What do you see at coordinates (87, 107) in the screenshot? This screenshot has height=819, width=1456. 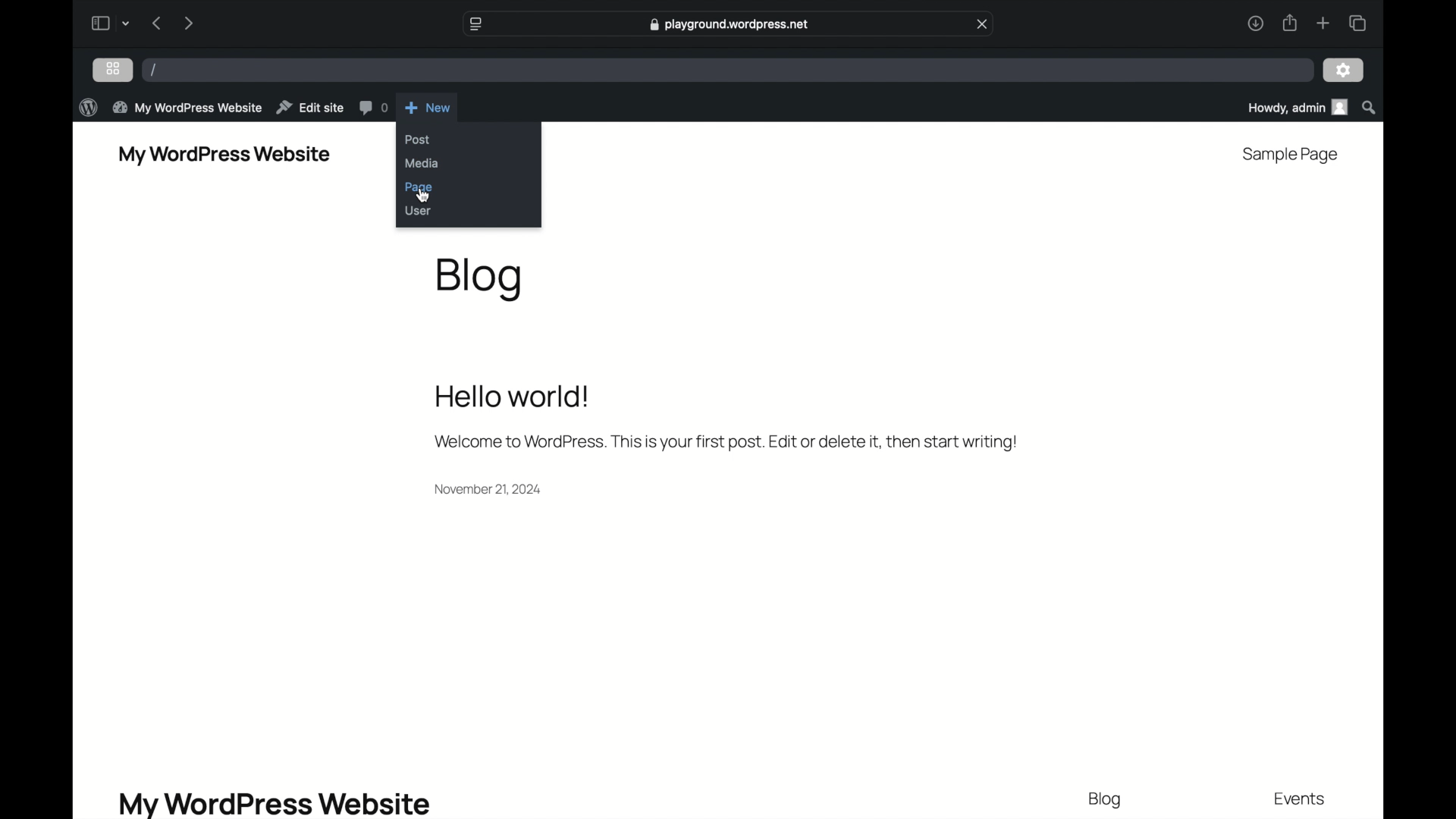 I see `wordpress` at bounding box center [87, 107].